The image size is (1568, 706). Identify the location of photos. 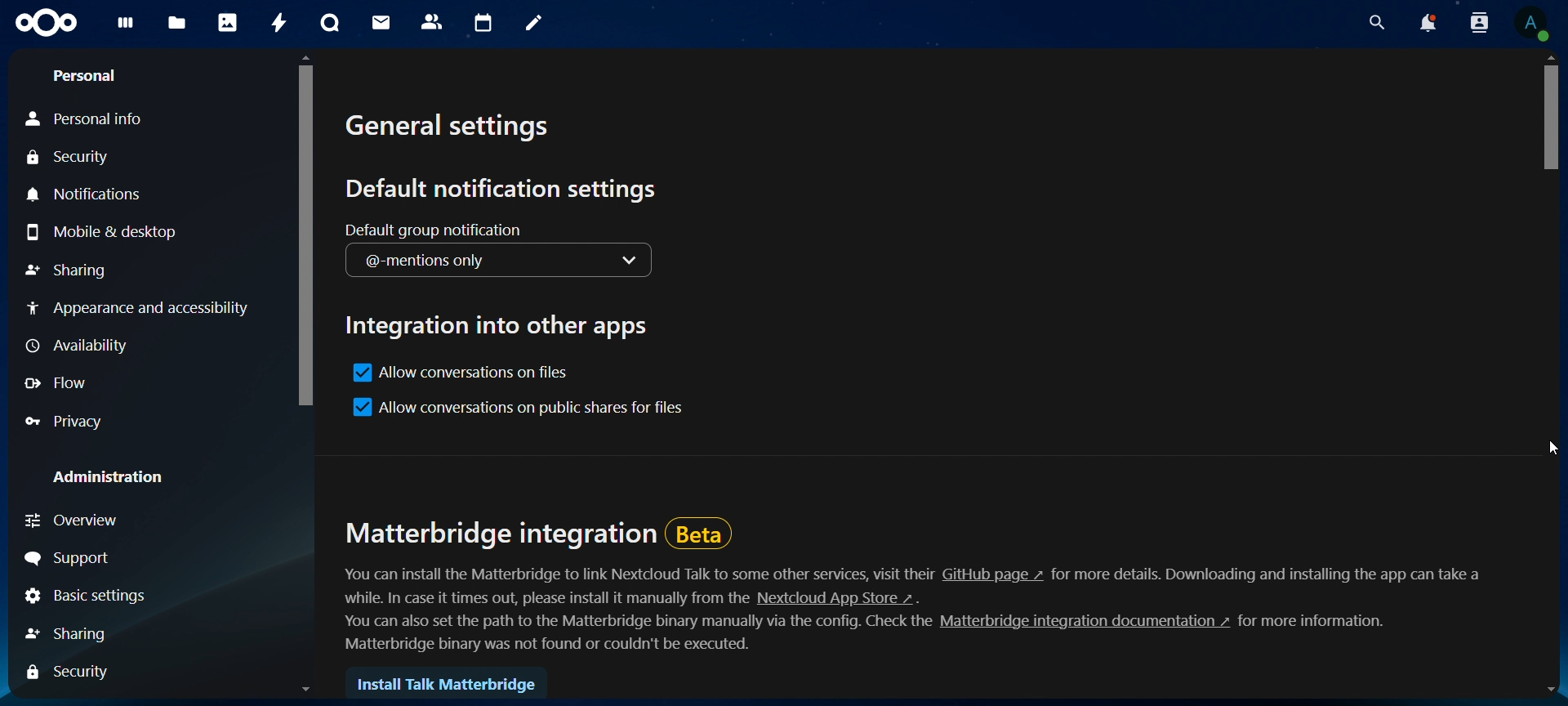
(229, 21).